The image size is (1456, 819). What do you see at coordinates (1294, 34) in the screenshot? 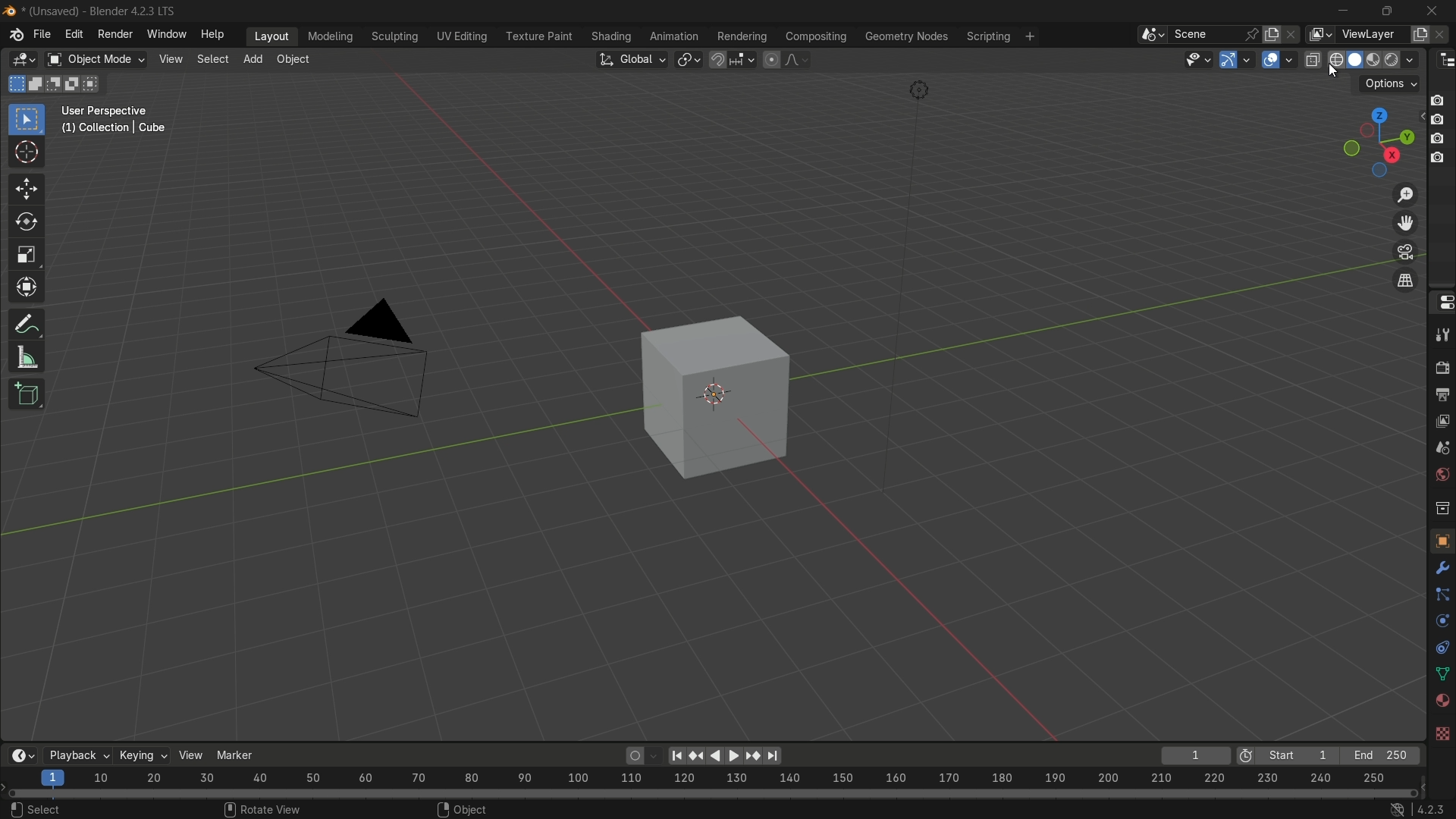
I see `delete scene` at bounding box center [1294, 34].